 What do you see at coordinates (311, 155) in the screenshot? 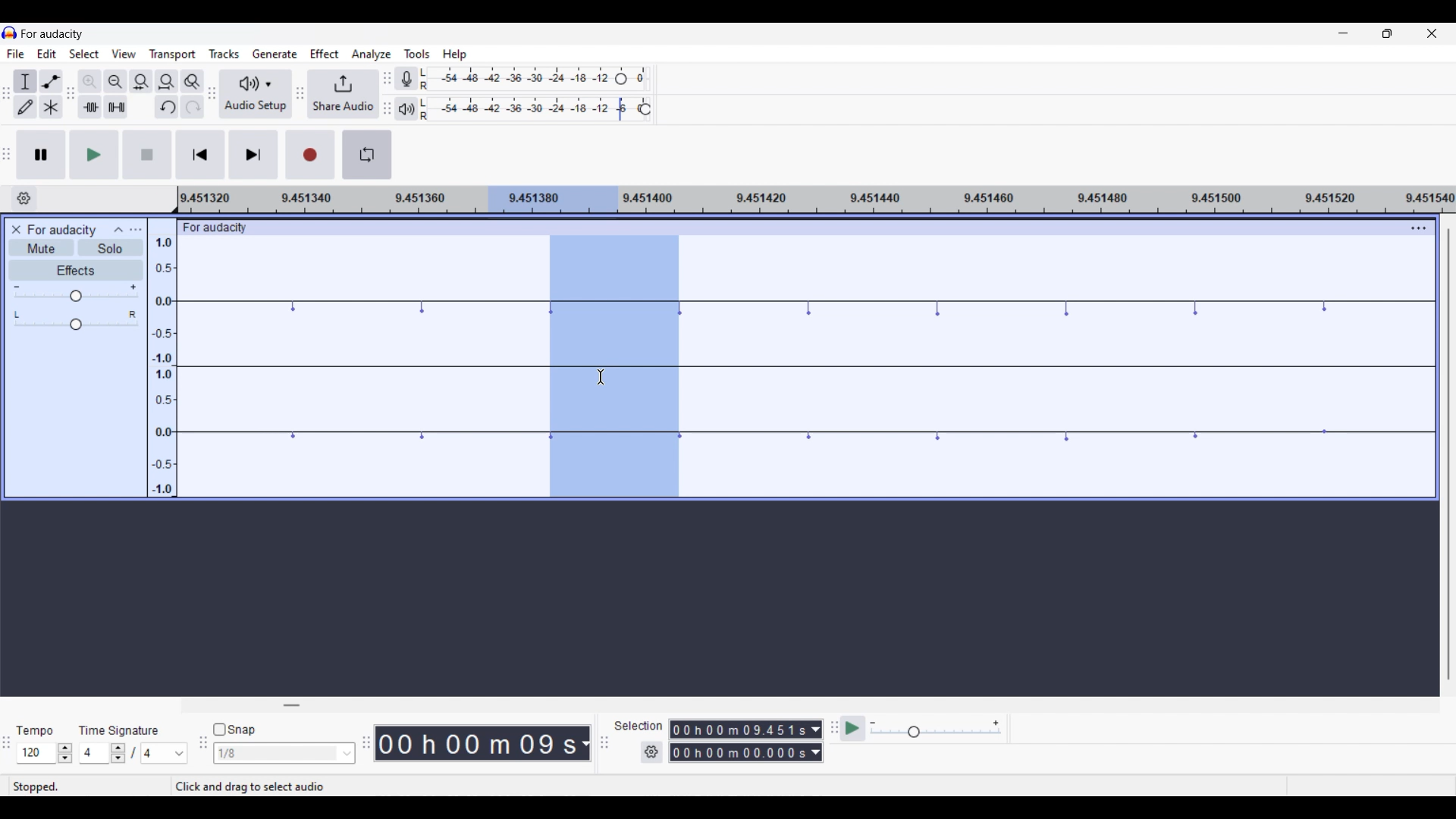
I see `Record/Record new track` at bounding box center [311, 155].